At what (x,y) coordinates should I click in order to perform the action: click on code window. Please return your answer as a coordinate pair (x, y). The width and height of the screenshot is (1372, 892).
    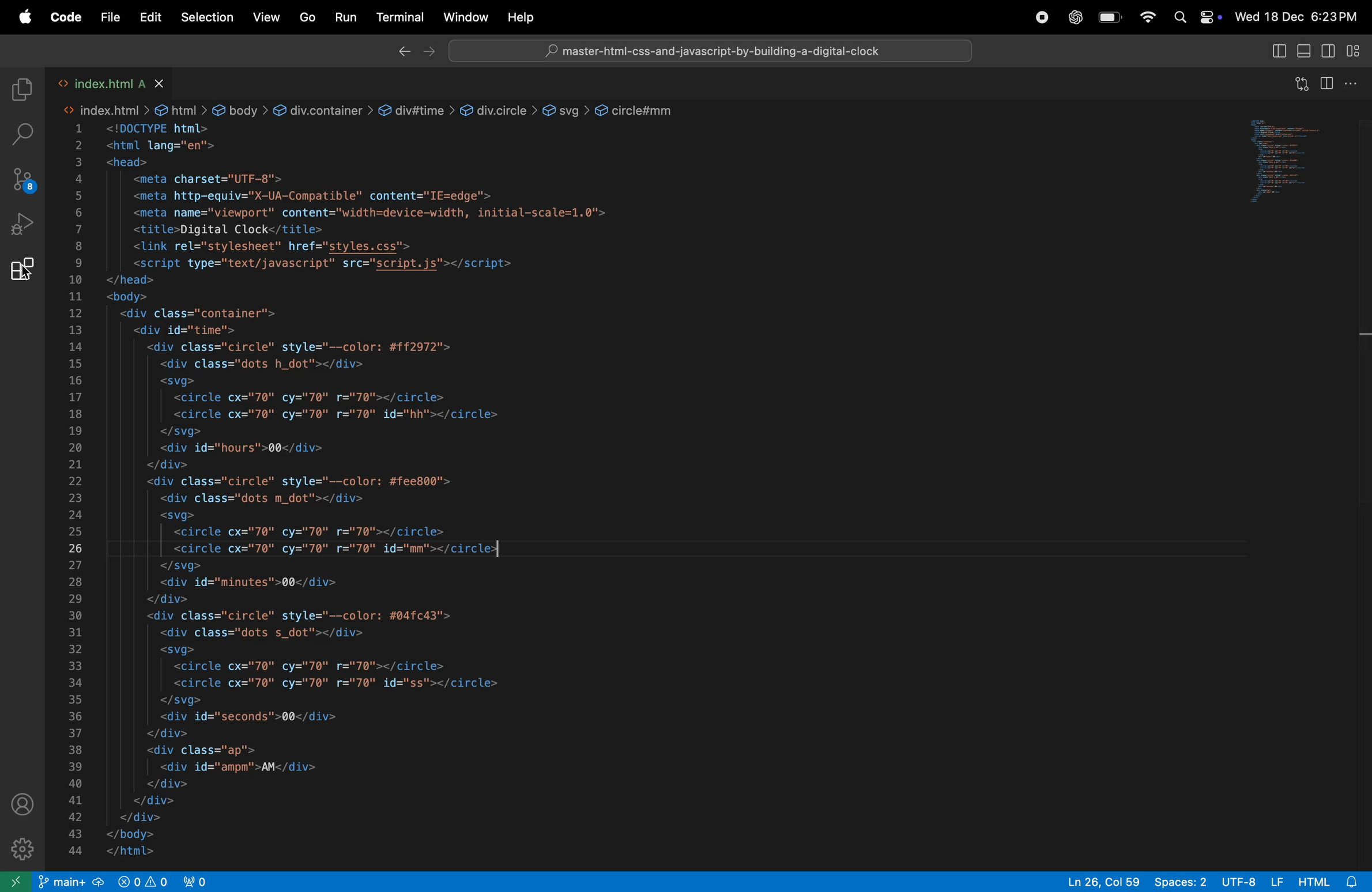
    Looking at the image, I should click on (1300, 158).